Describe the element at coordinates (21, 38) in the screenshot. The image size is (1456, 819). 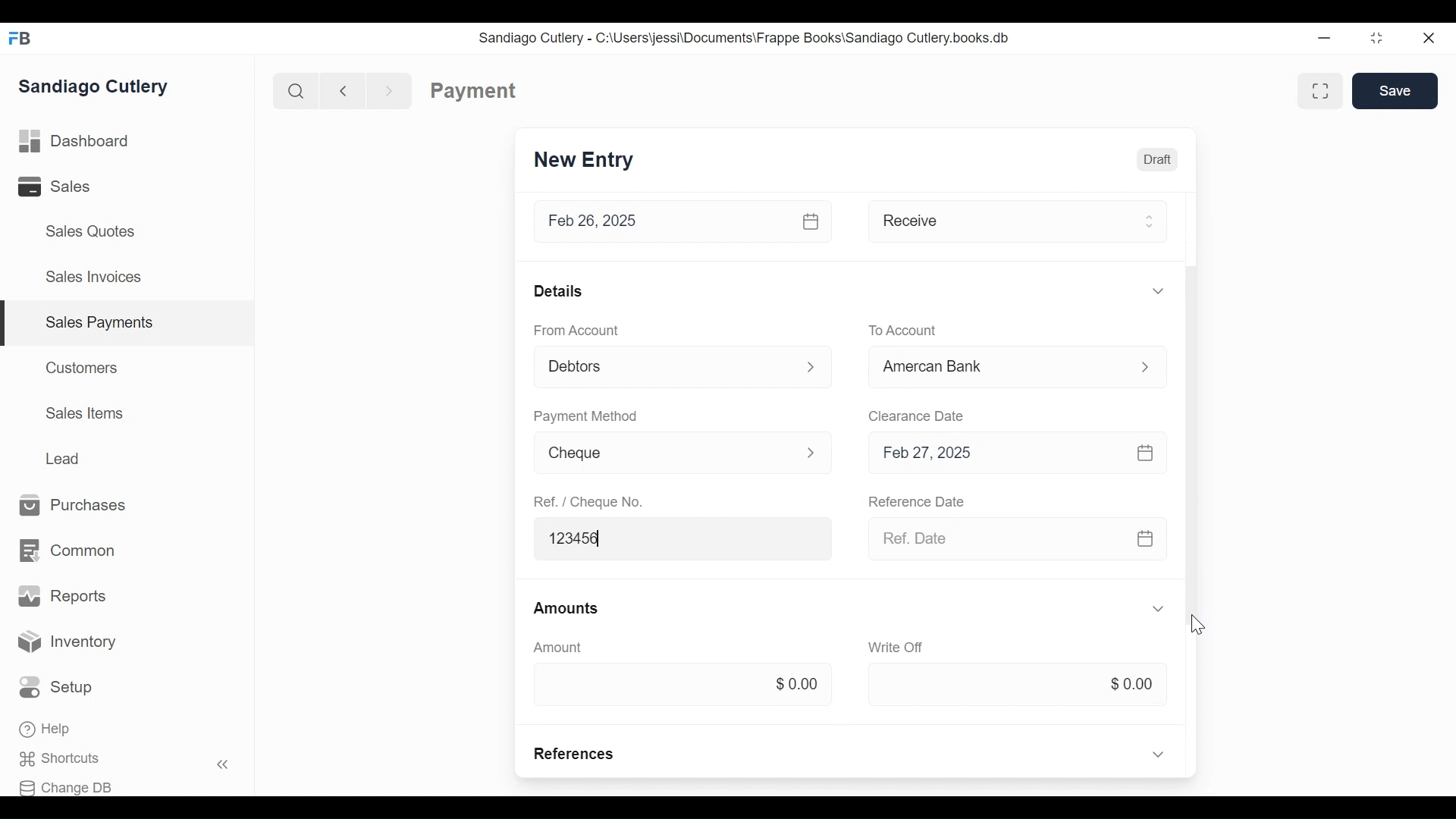
I see `Frappe Books` at that location.